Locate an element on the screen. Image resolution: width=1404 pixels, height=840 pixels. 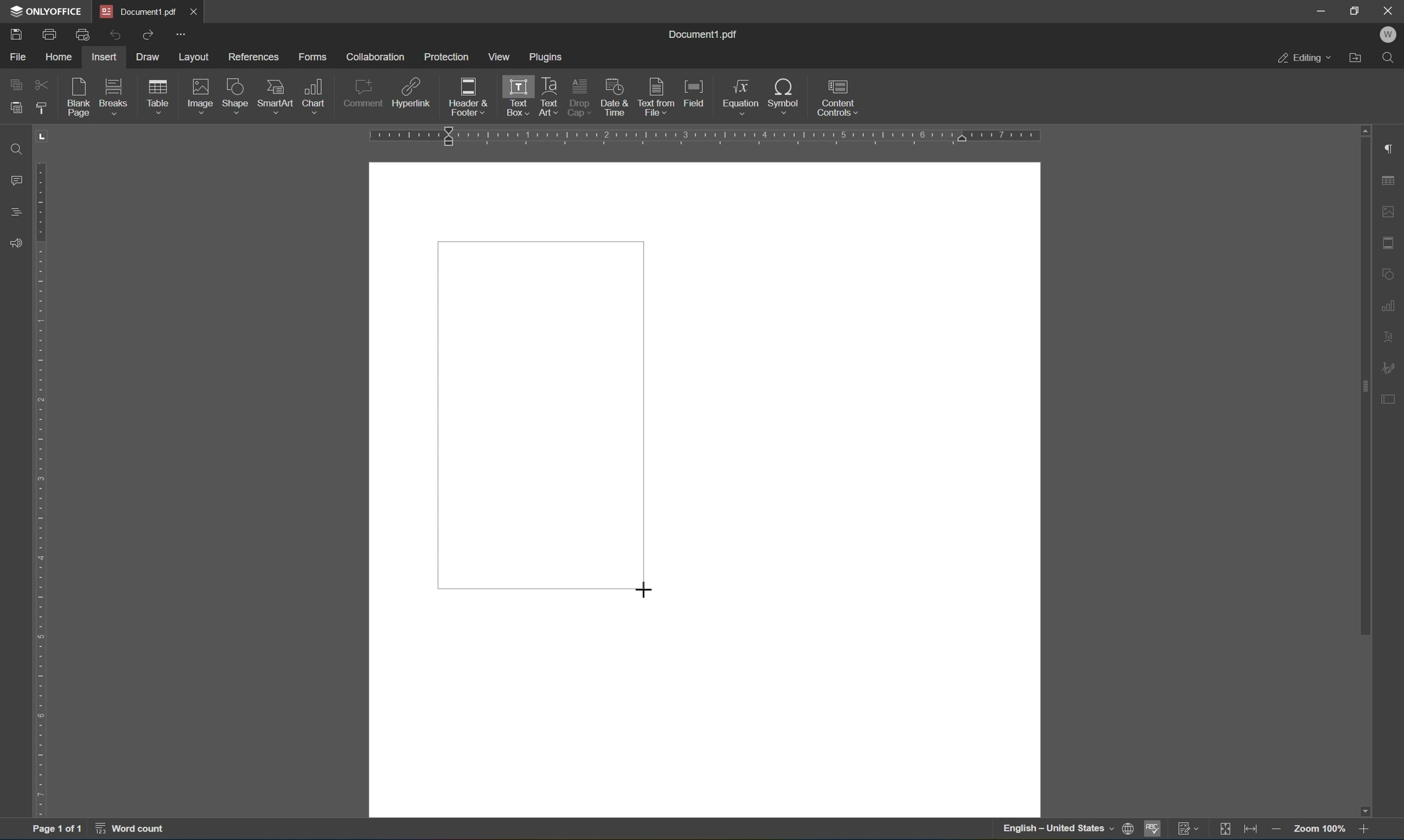
drop cap is located at coordinates (579, 96).